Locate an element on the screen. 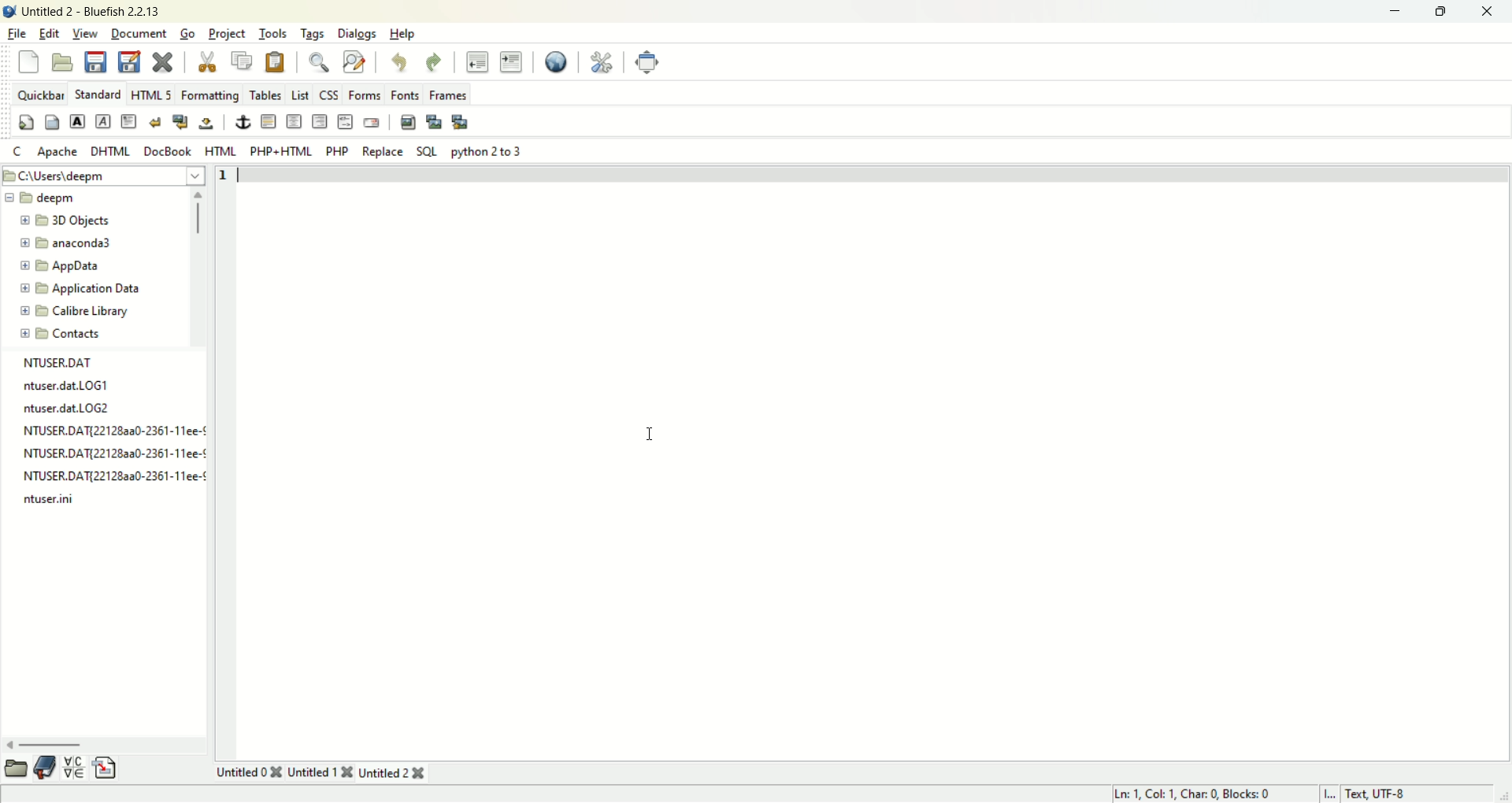  save current file is located at coordinates (95, 61).